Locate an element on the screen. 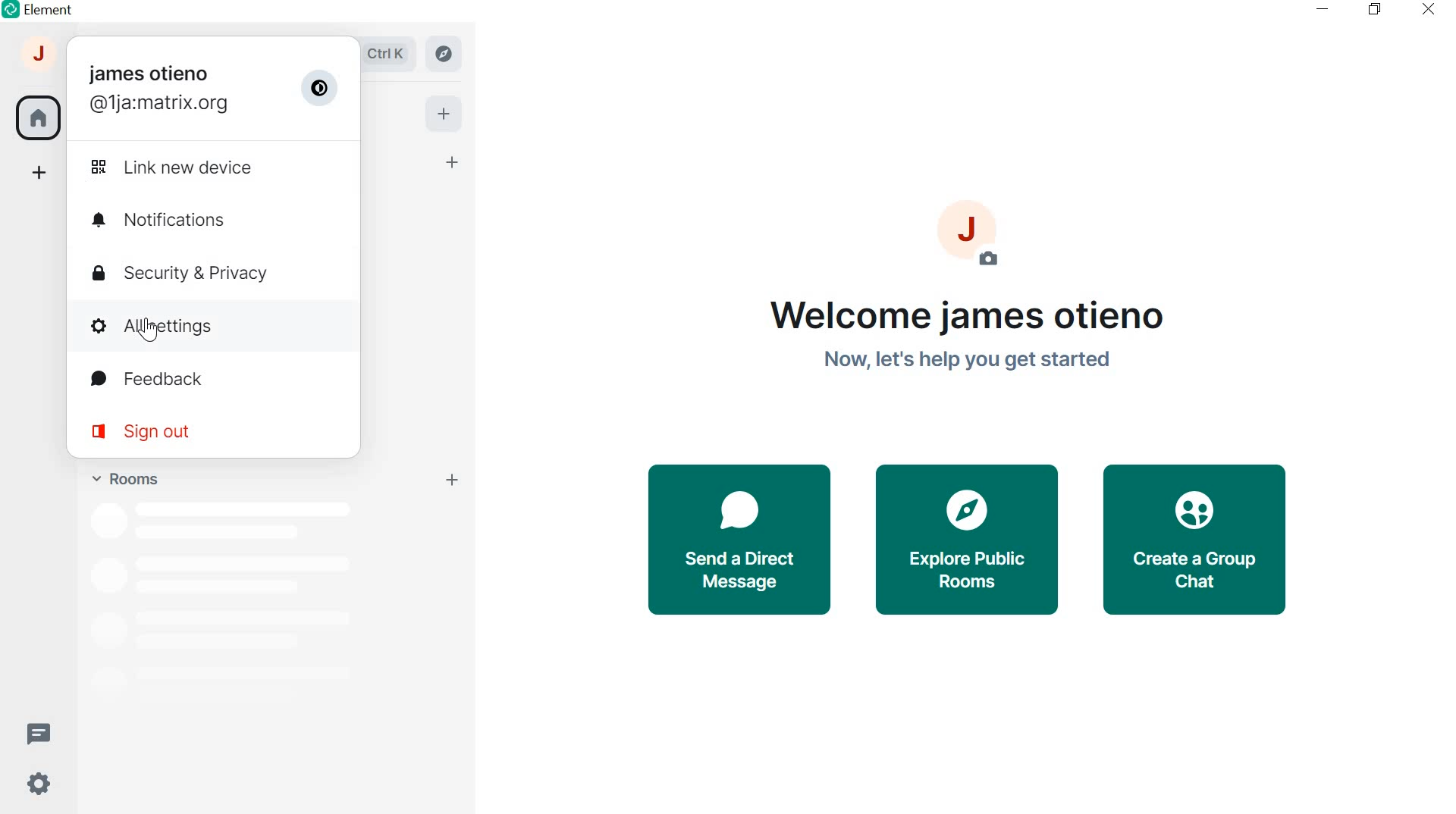 Image resolution: width=1456 pixels, height=814 pixels. EXPLORE PUBLIC ROOMS is located at coordinates (968, 540).